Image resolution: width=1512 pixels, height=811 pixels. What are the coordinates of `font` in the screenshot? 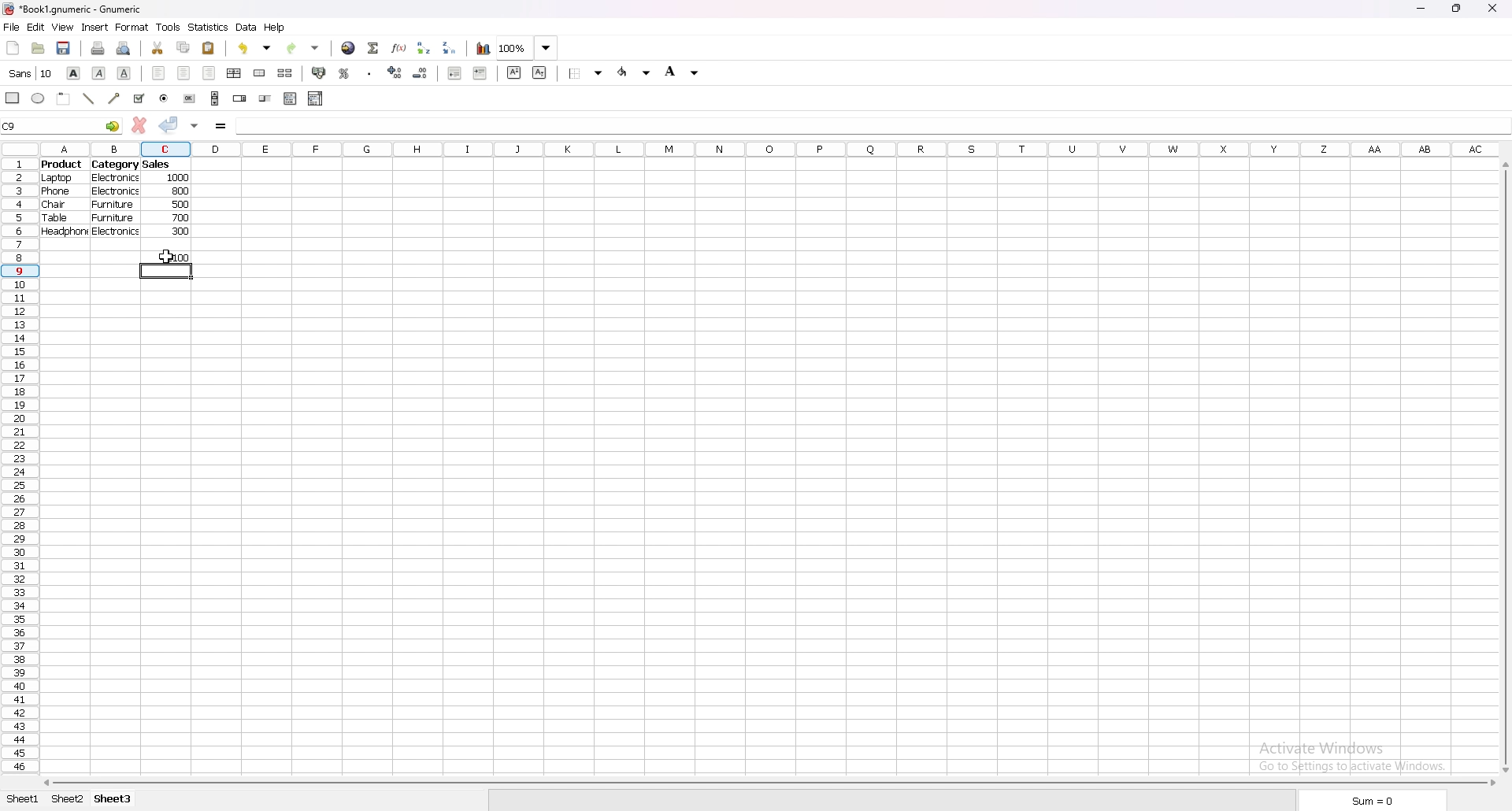 It's located at (31, 73).